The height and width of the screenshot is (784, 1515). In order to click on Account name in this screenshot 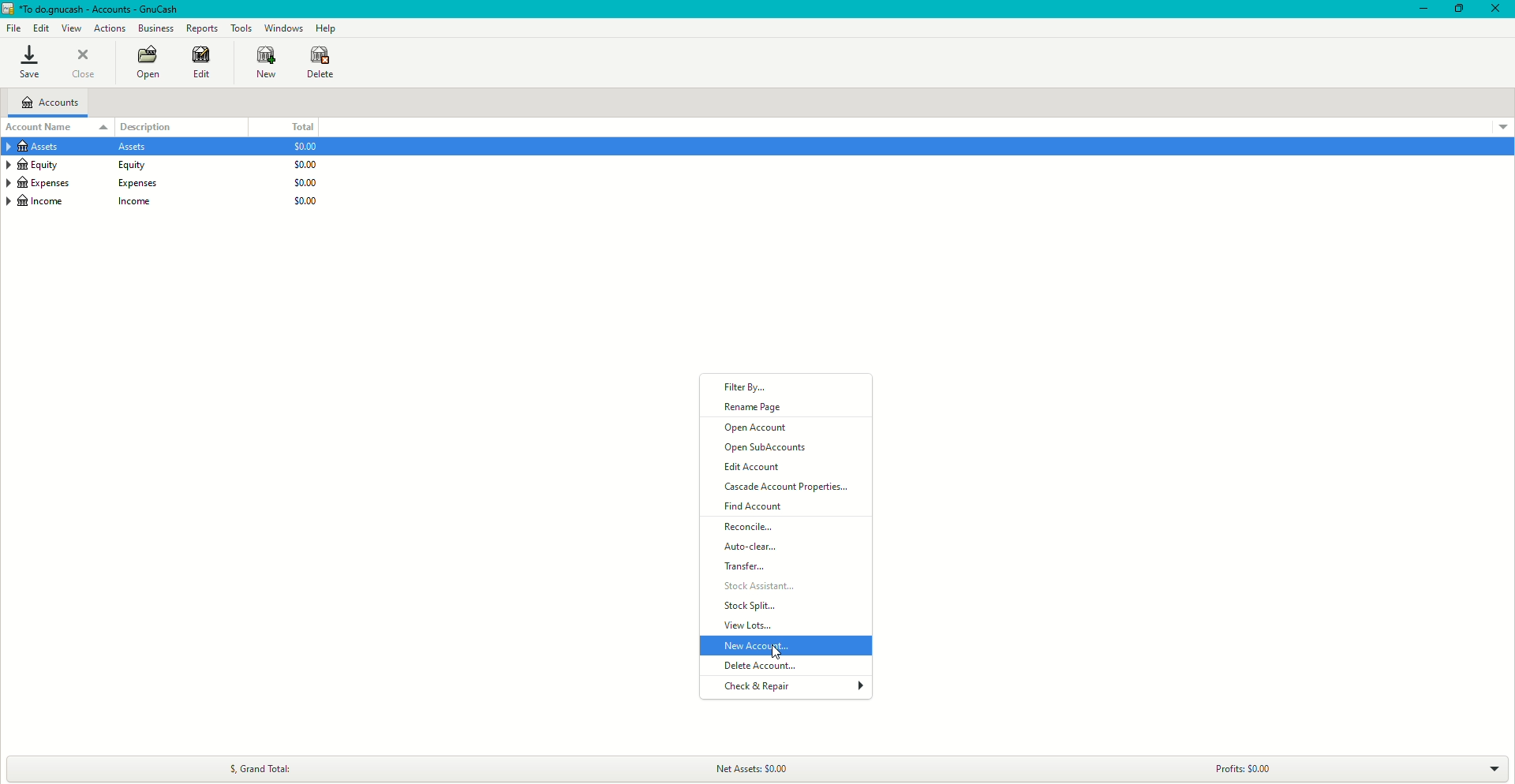, I will do `click(42, 127)`.